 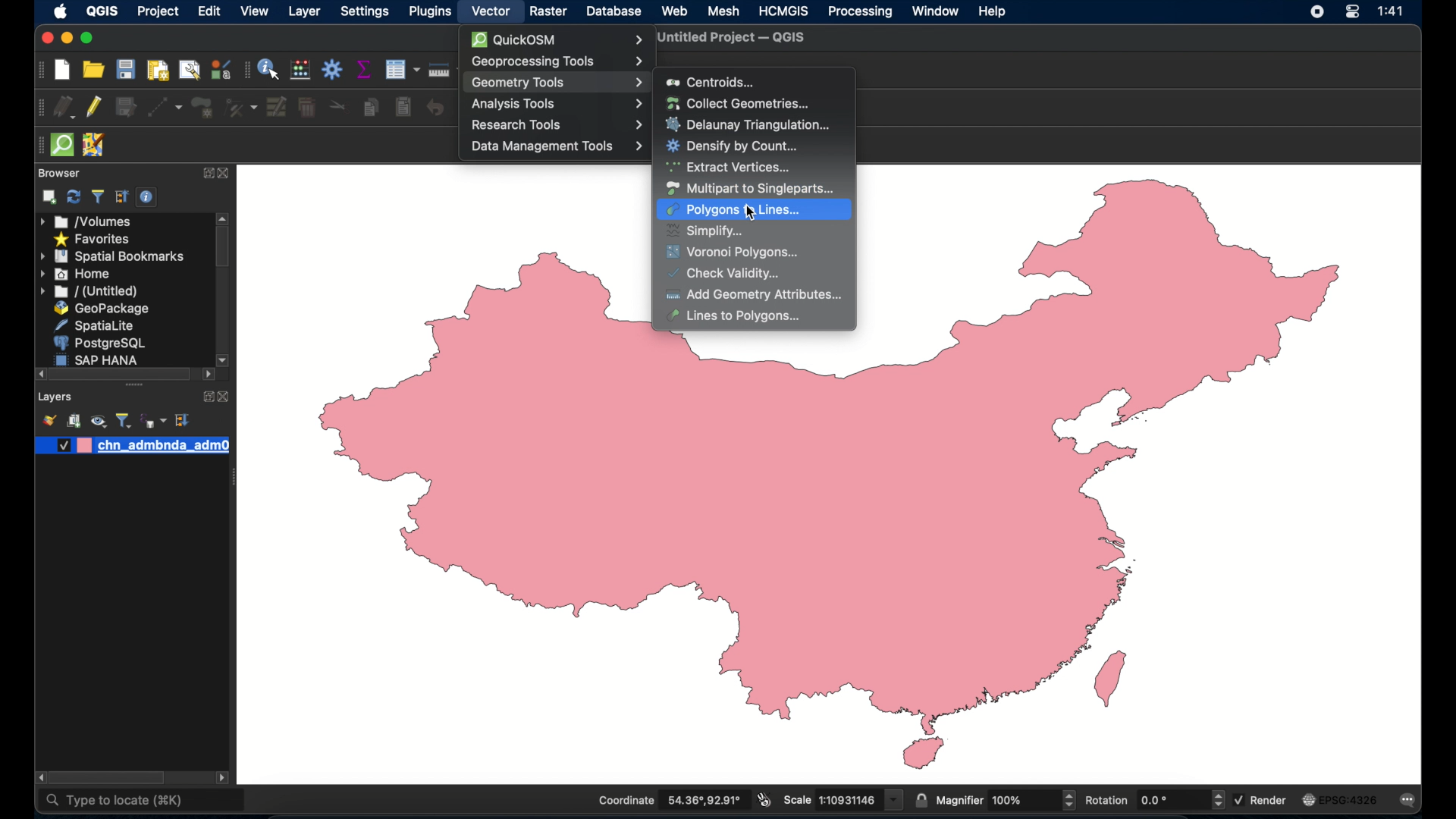 I want to click on vector selected, so click(x=489, y=11).